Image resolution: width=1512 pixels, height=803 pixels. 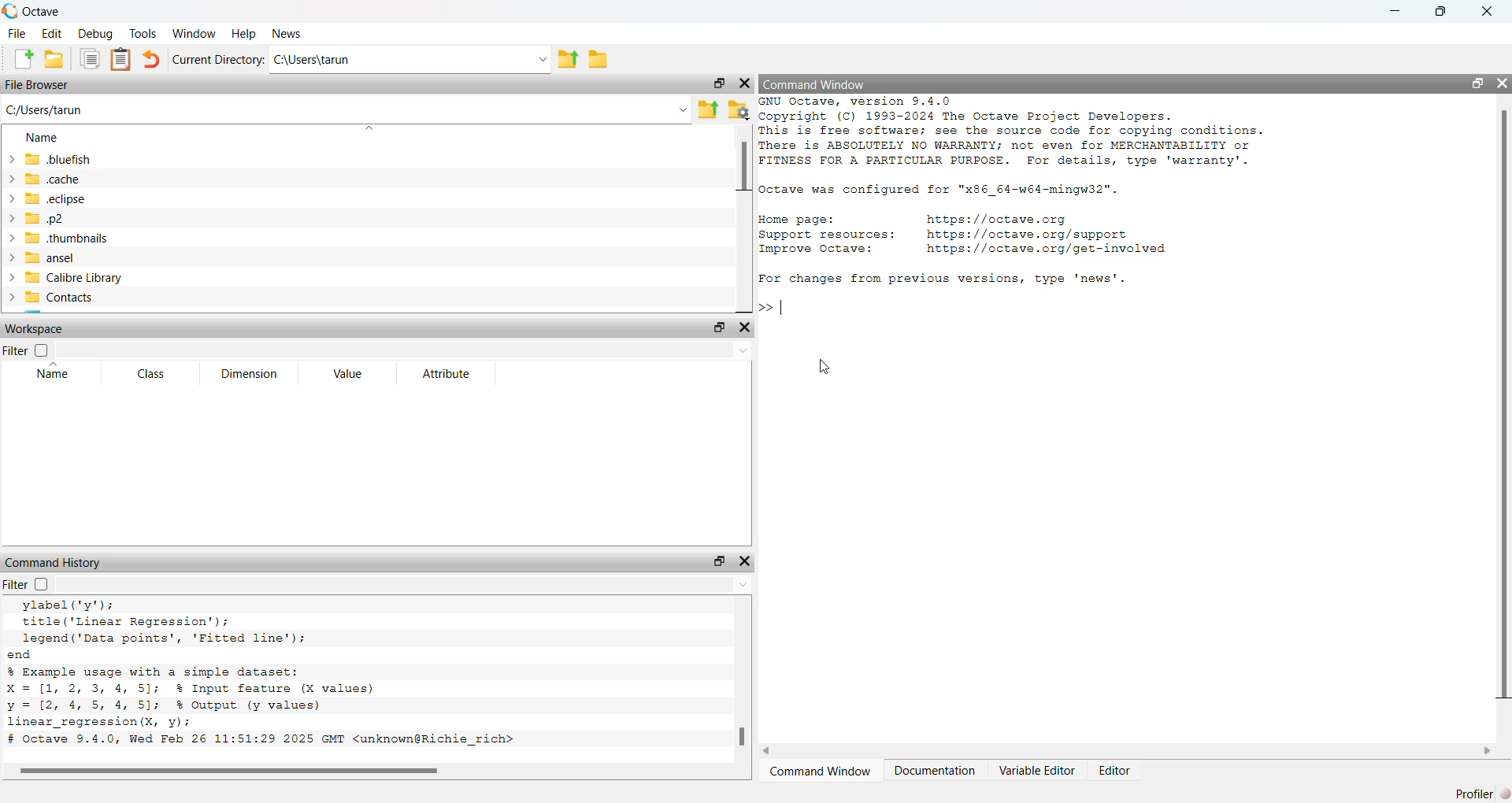 I want to click on close widget, so click(x=744, y=327).